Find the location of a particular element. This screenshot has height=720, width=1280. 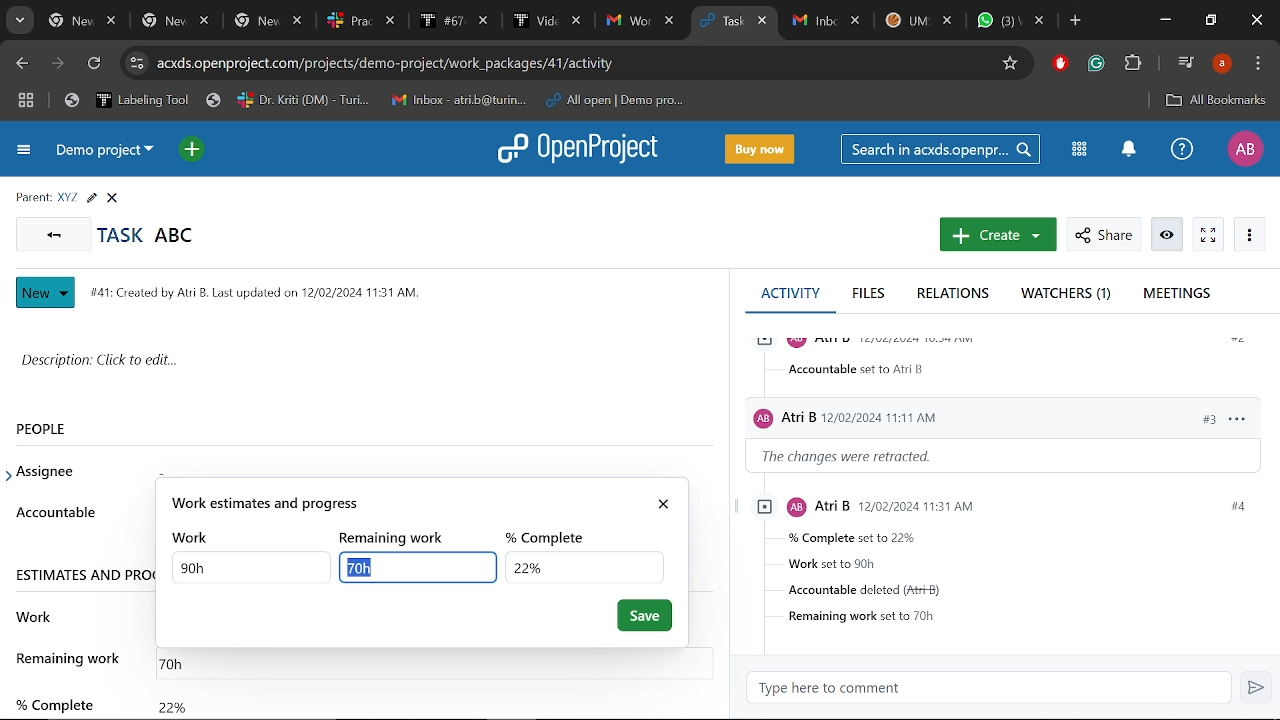

Activate zen mode is located at coordinates (1208, 235).